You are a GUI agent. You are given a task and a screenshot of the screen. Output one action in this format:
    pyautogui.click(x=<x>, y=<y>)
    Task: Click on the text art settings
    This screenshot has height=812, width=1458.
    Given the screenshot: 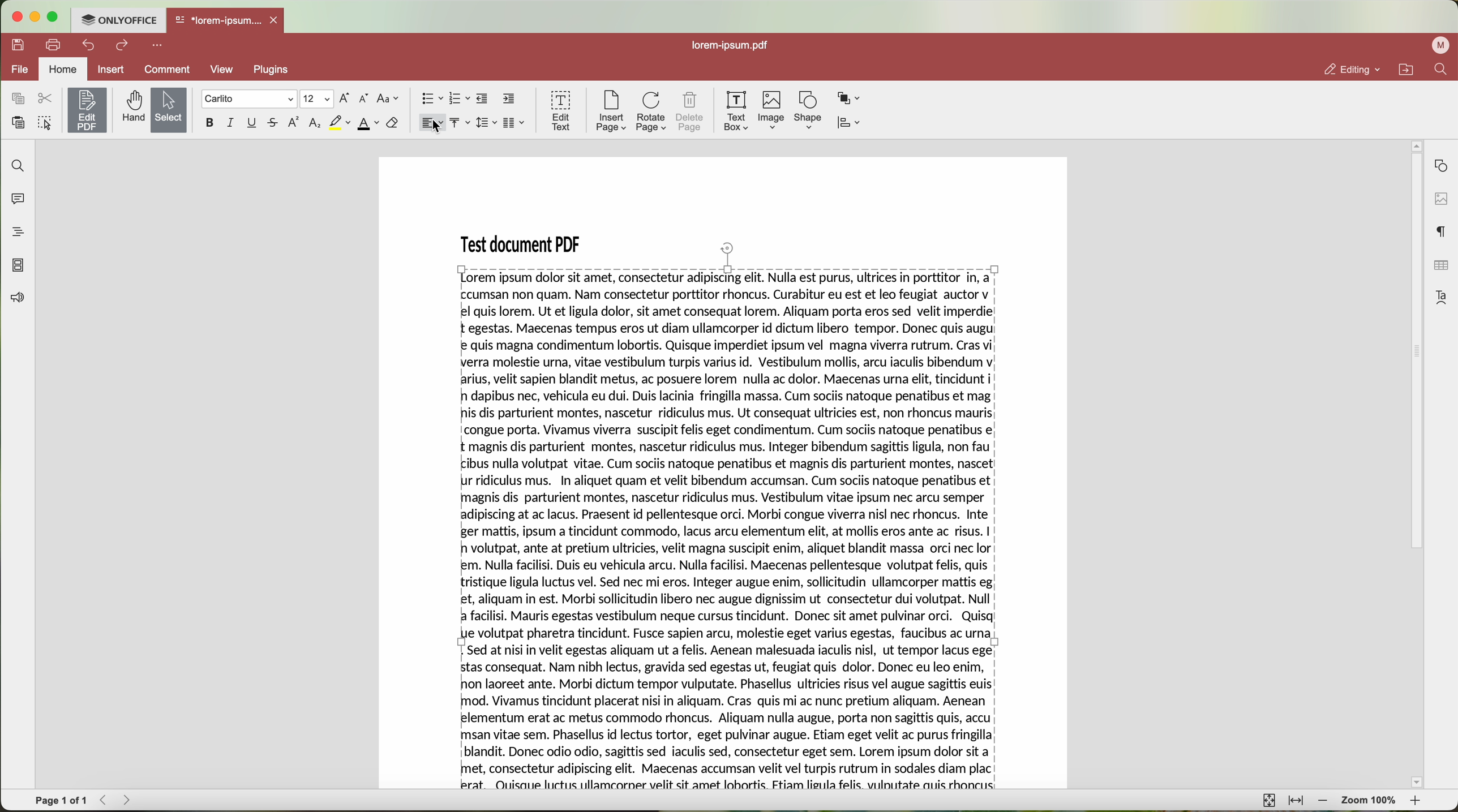 What is the action you would take?
    pyautogui.click(x=1440, y=298)
    